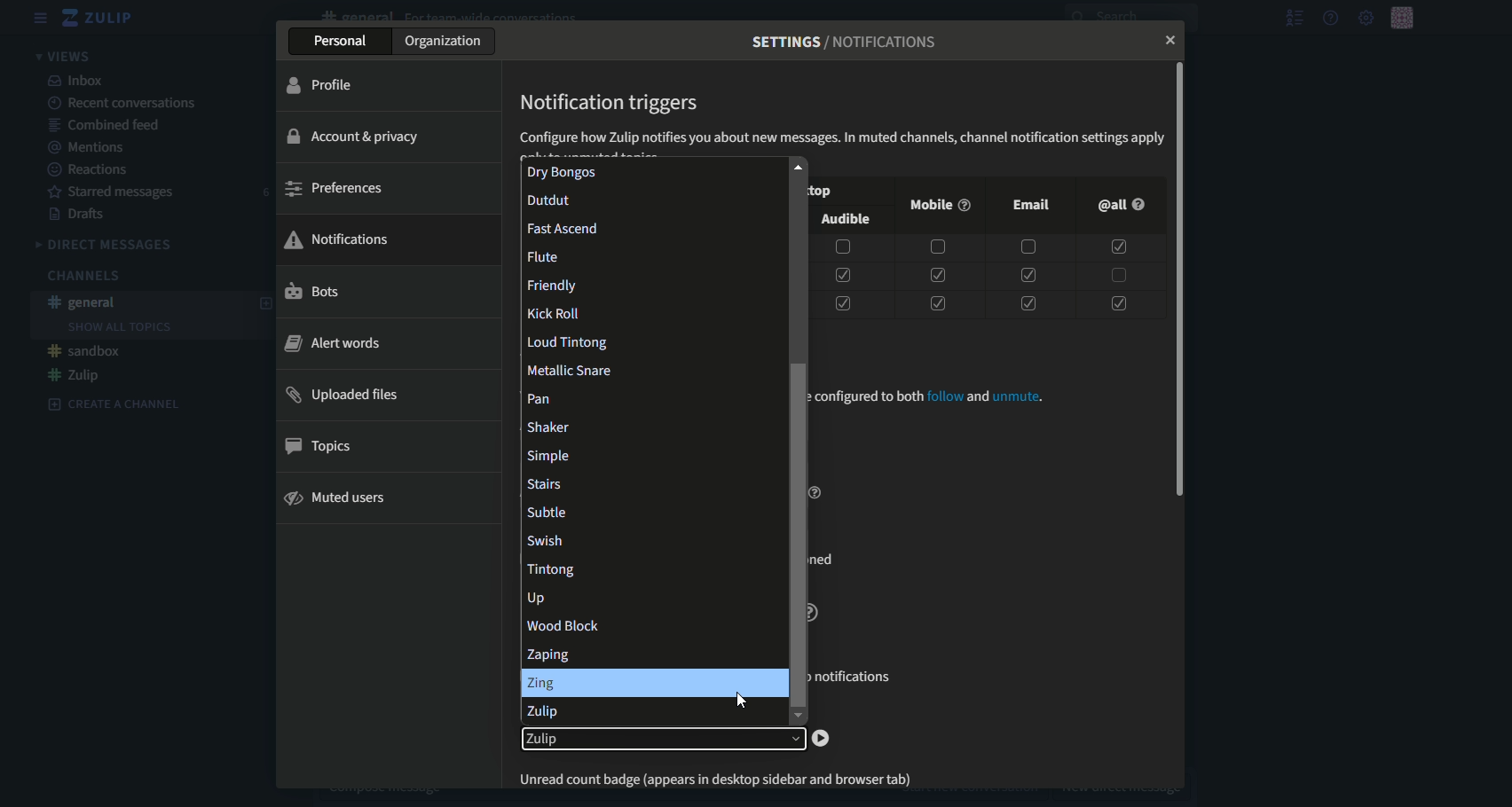 The image size is (1512, 807). What do you see at coordinates (334, 189) in the screenshot?
I see `preference` at bounding box center [334, 189].